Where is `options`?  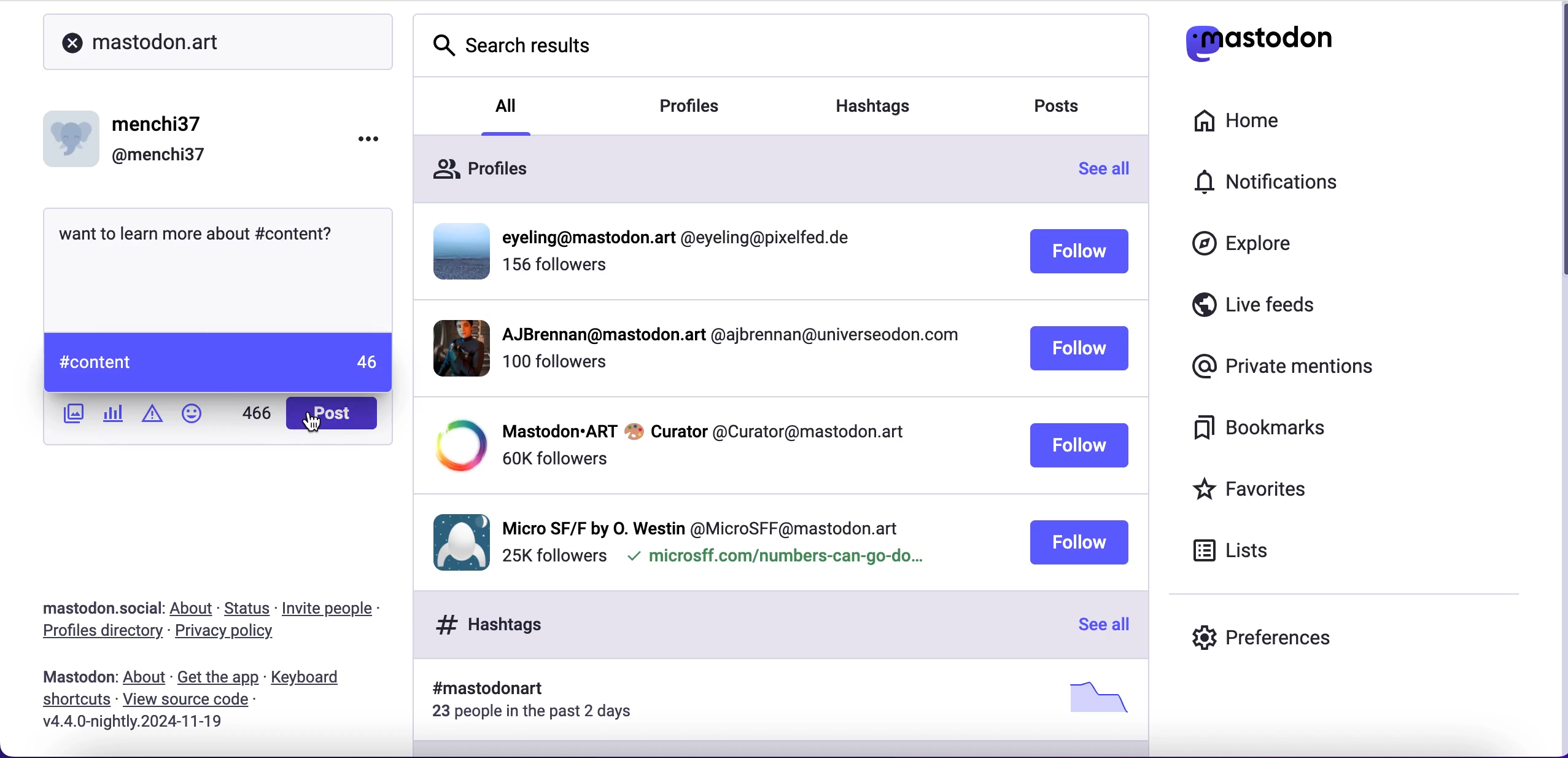 options is located at coordinates (359, 144).